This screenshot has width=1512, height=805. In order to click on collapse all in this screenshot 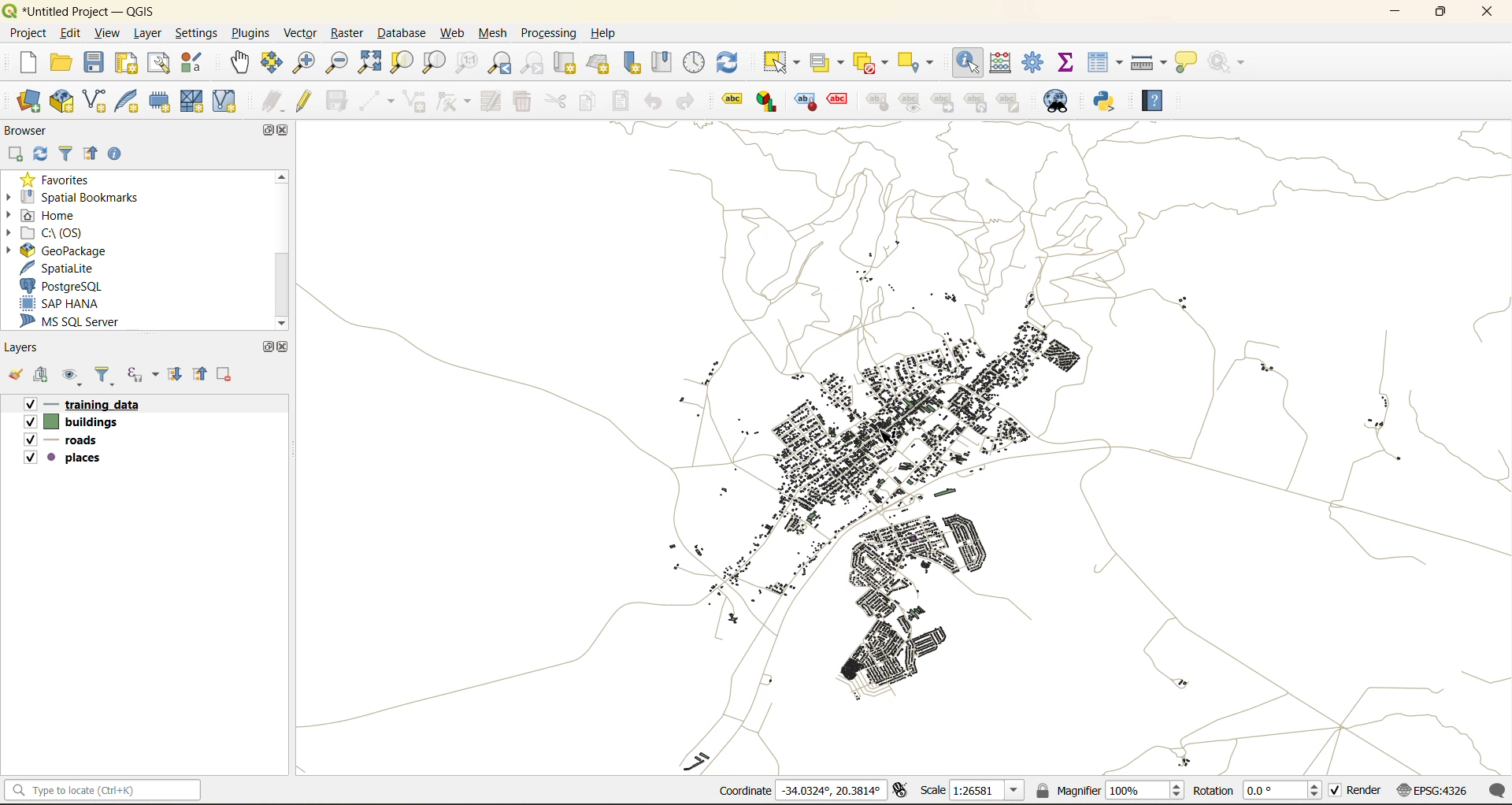, I will do `click(94, 154)`.